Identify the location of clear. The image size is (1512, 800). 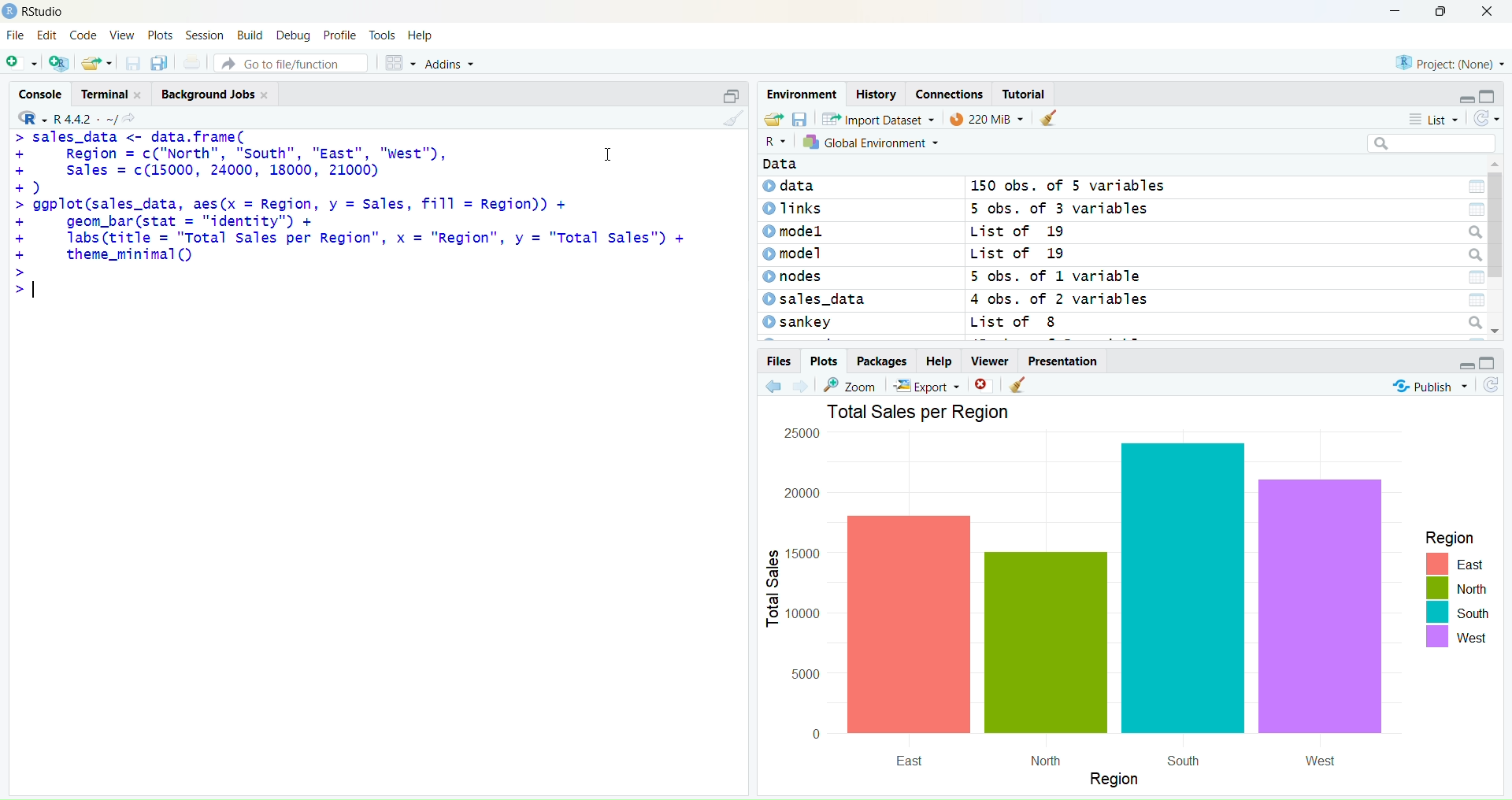
(1485, 122).